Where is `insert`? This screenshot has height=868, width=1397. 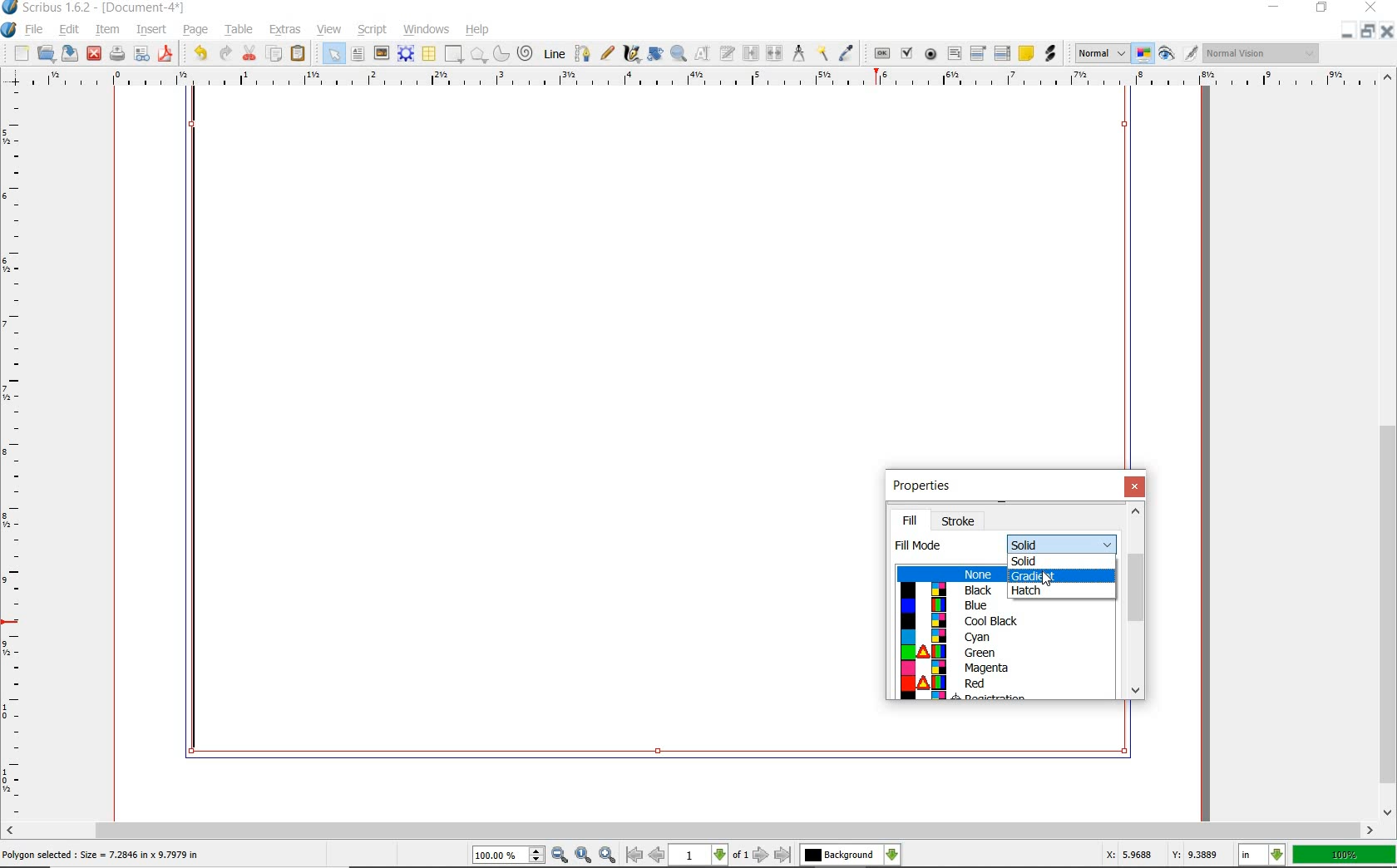 insert is located at coordinates (151, 29).